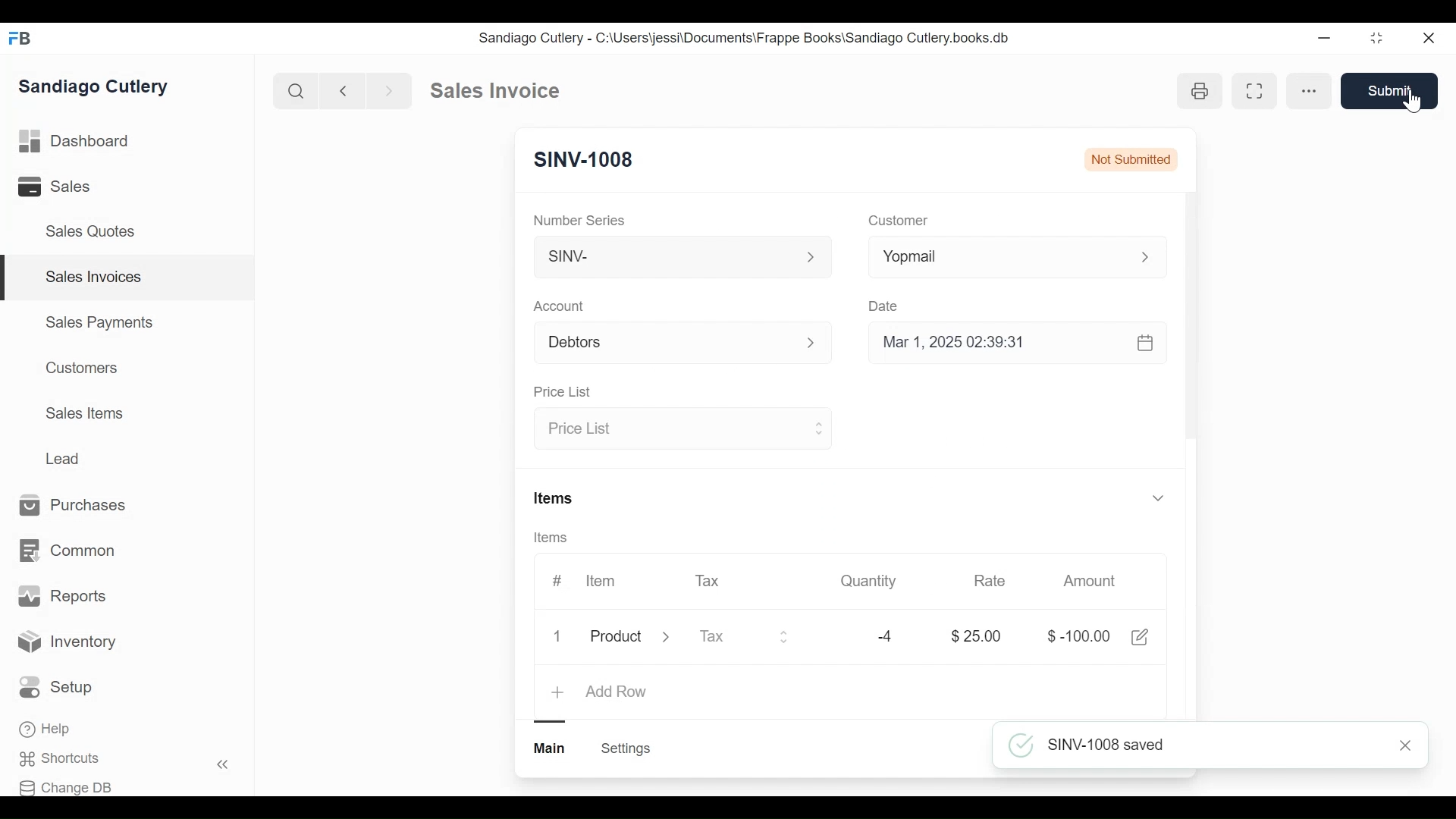 The image size is (1456, 819). What do you see at coordinates (23, 39) in the screenshot?
I see `FB` at bounding box center [23, 39].